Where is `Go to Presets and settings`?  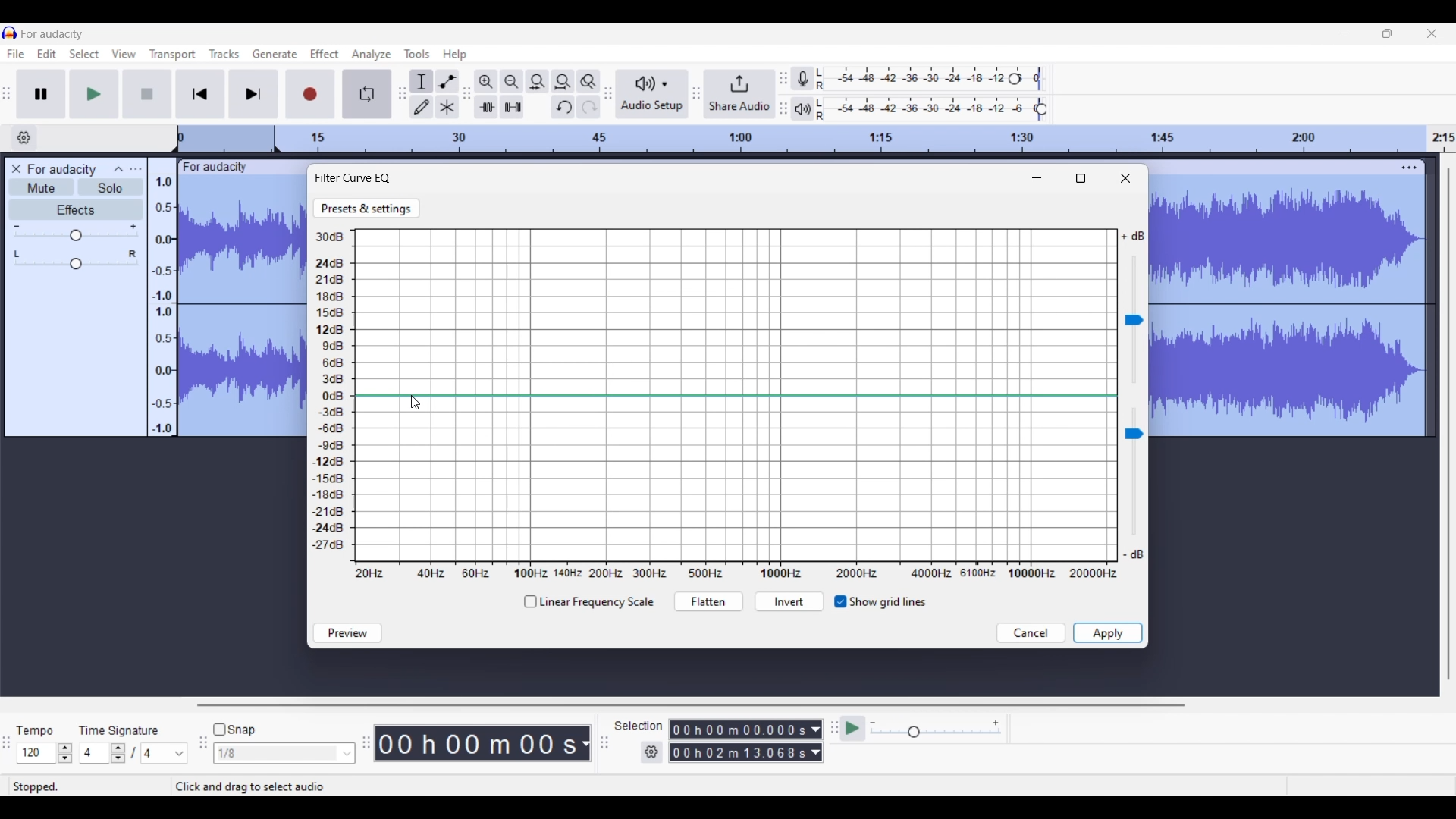
Go to Presets and settings is located at coordinates (367, 209).